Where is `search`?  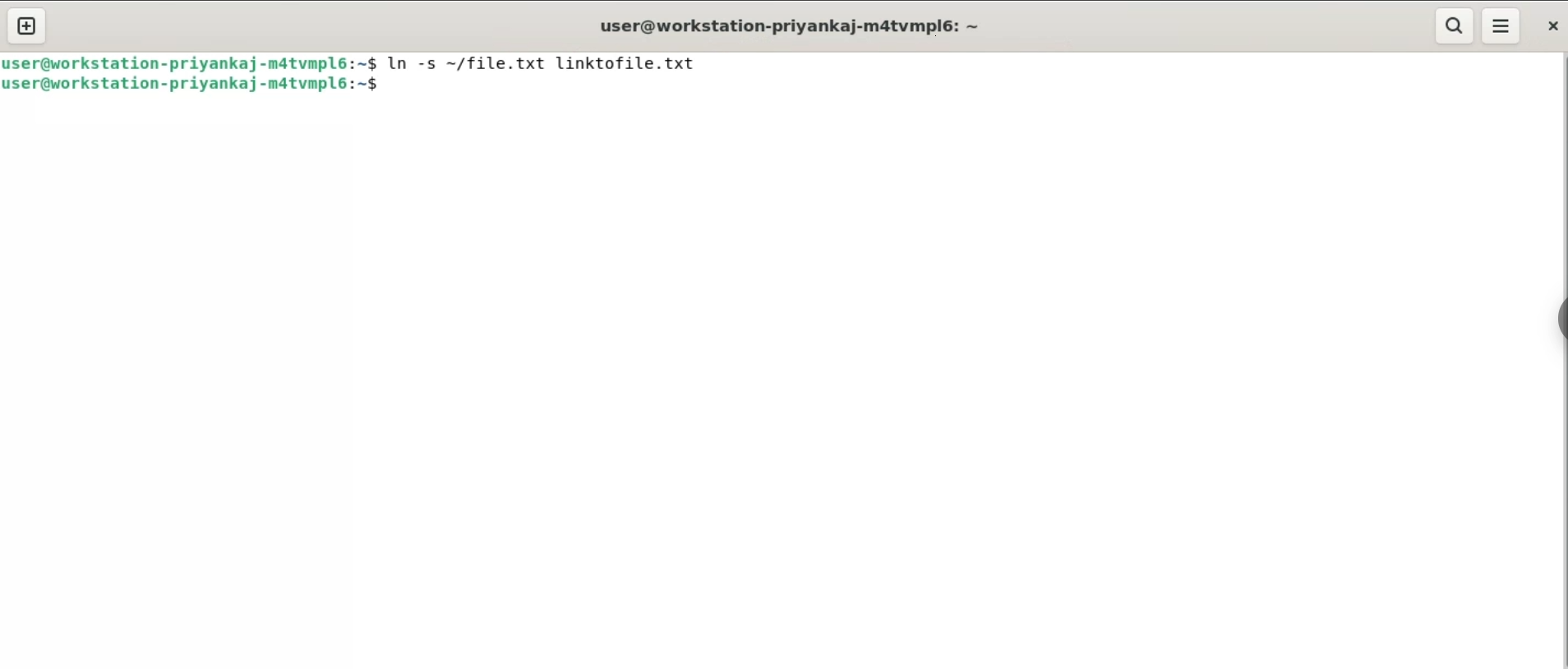 search is located at coordinates (1452, 25).